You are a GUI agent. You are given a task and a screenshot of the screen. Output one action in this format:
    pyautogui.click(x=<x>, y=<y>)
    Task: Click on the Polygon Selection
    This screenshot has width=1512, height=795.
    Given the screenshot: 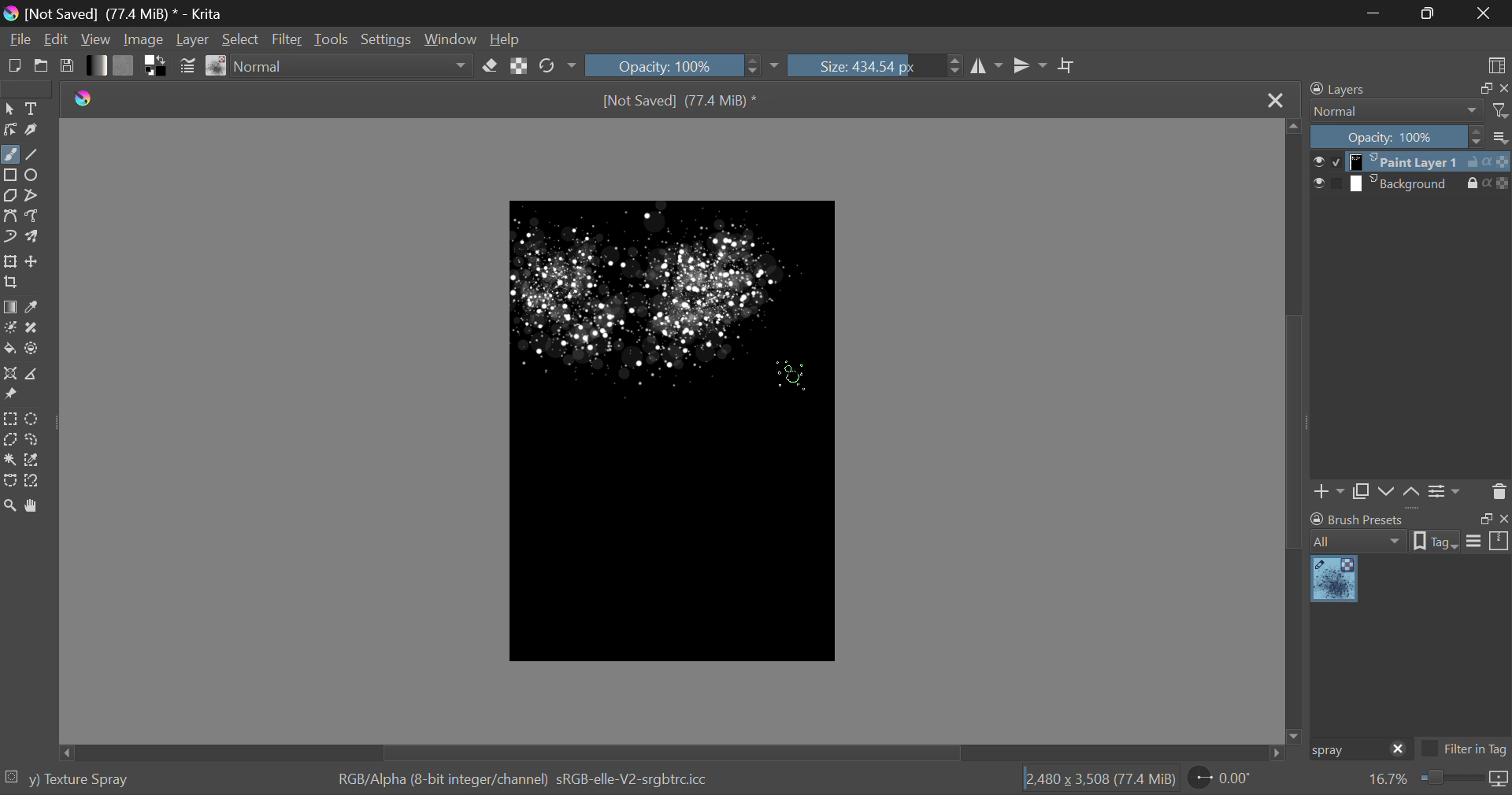 What is the action you would take?
    pyautogui.click(x=10, y=438)
    